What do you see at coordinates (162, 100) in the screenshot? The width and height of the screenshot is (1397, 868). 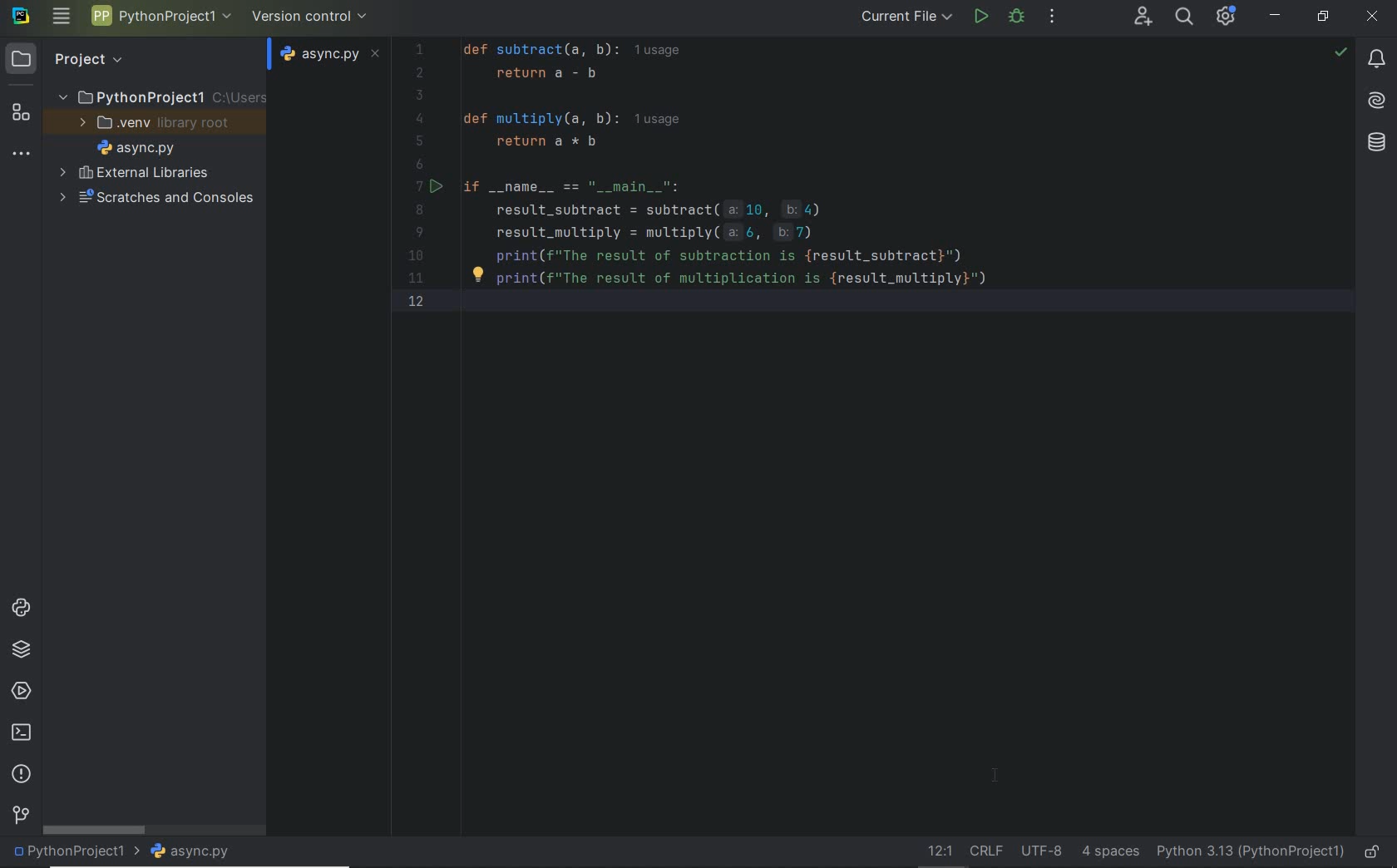 I see `project folder` at bounding box center [162, 100].